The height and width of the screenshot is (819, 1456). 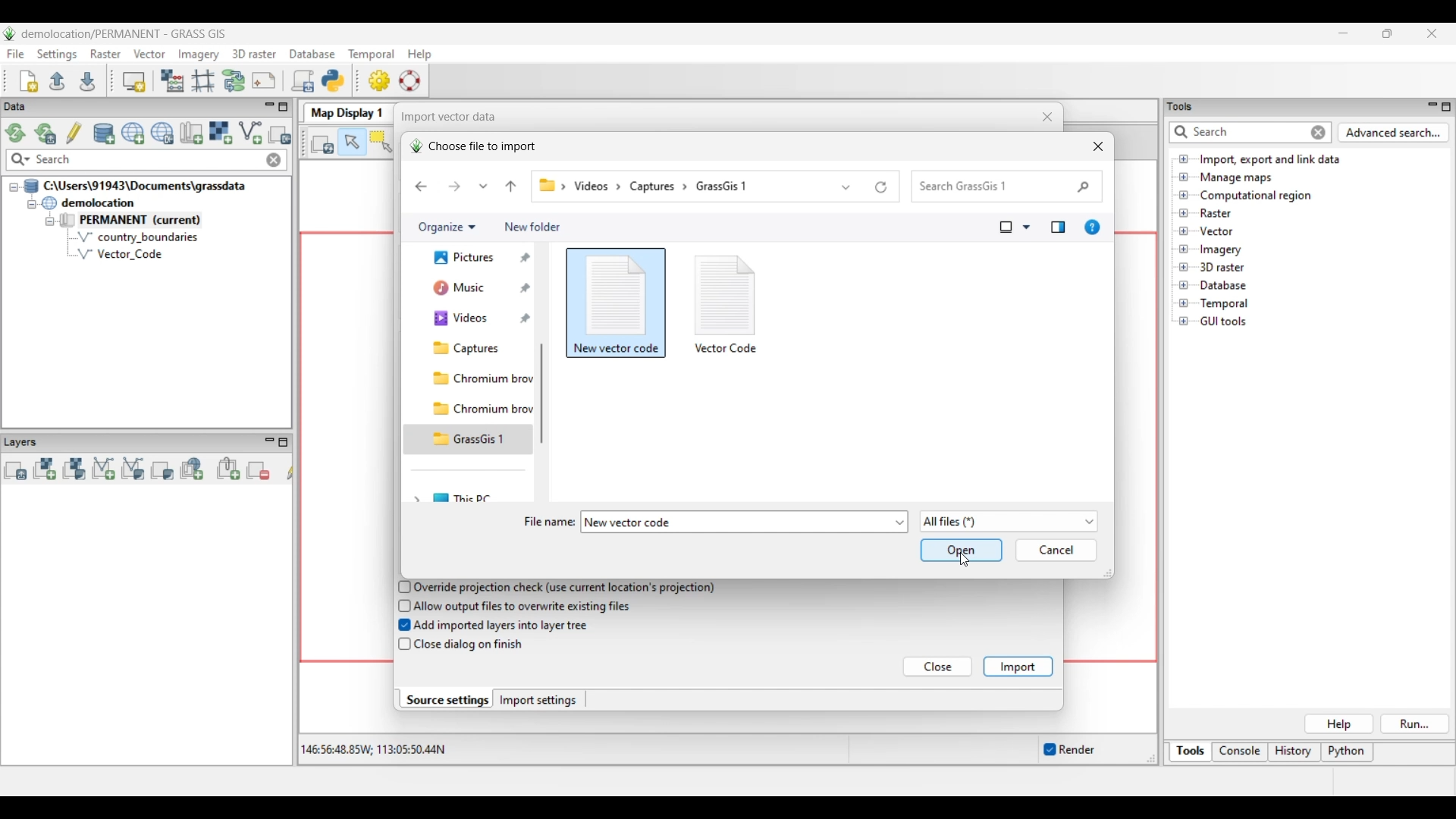 What do you see at coordinates (532, 227) in the screenshot?
I see `Add new folder` at bounding box center [532, 227].